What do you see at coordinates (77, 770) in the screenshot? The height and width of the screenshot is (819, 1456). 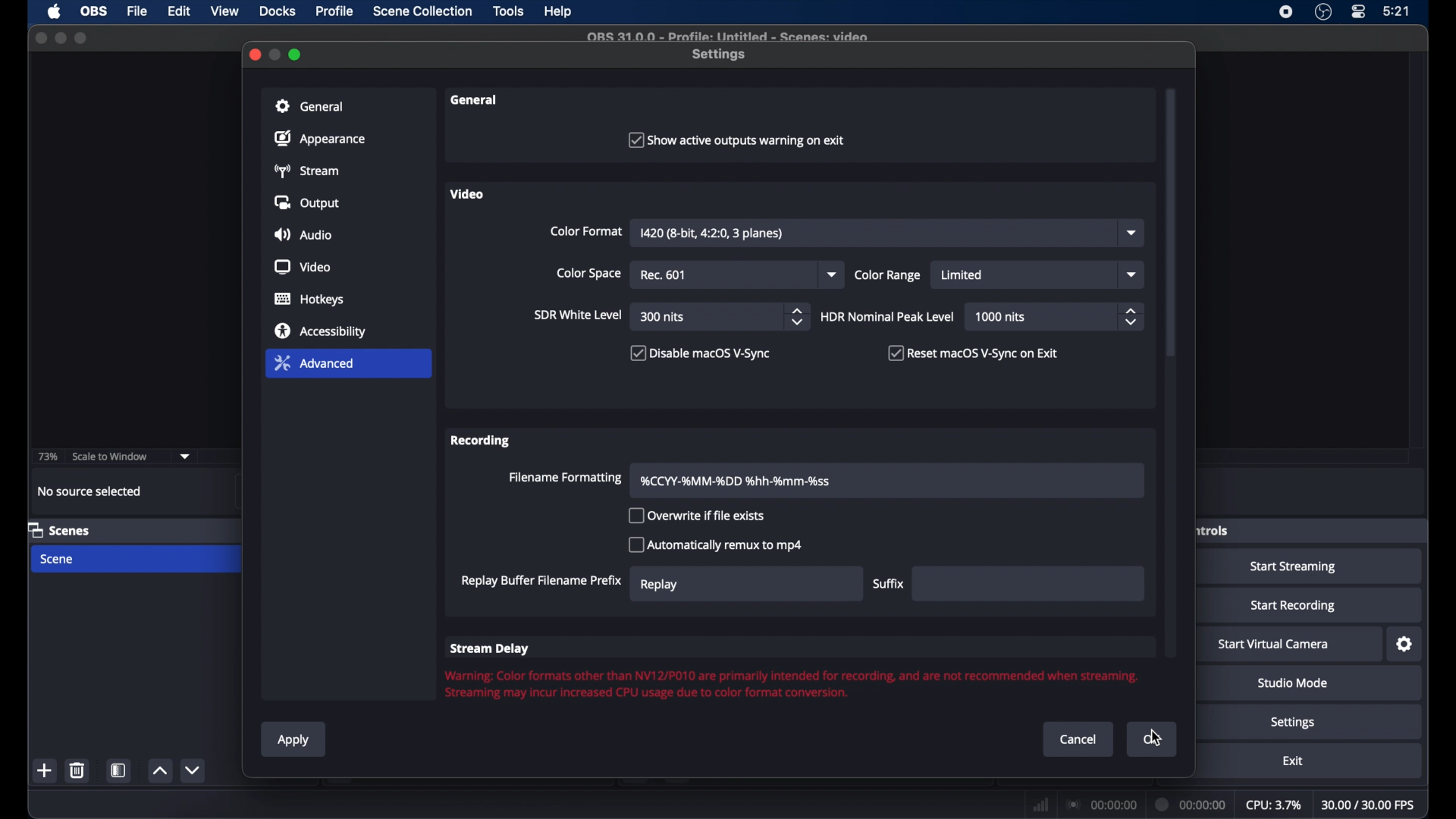 I see `delete` at bounding box center [77, 770].